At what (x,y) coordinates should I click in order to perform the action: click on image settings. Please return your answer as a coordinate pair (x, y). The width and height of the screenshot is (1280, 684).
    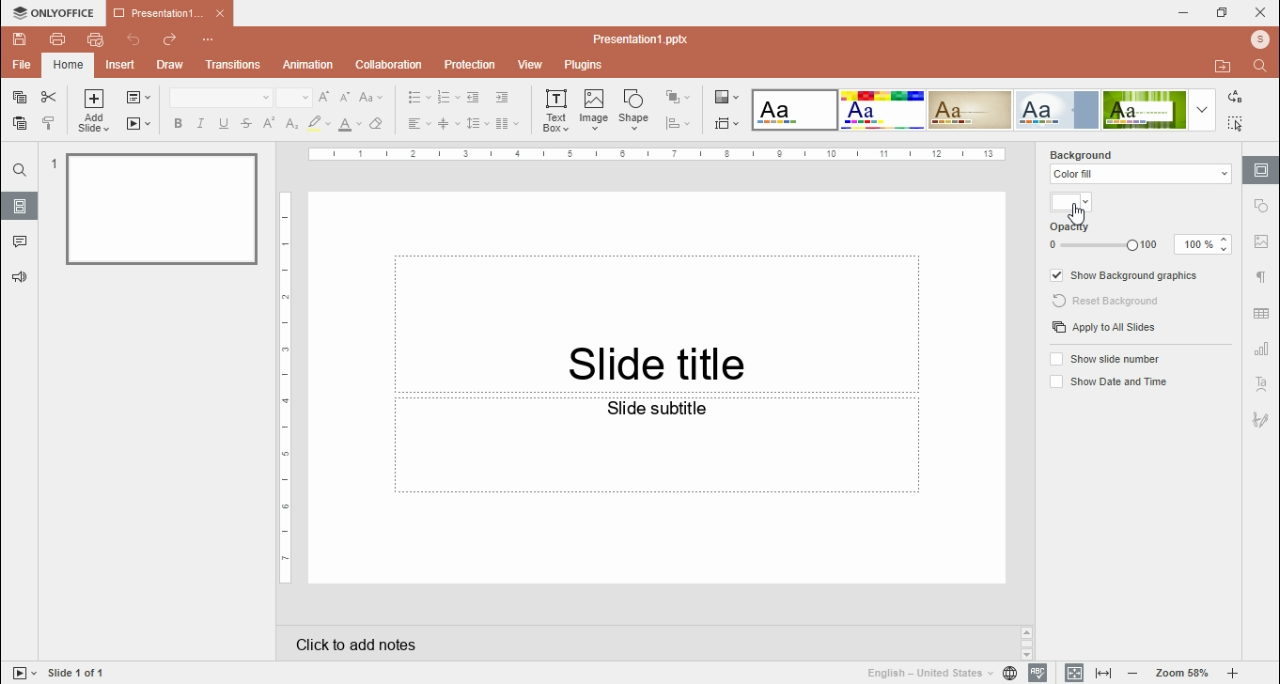
    Looking at the image, I should click on (1265, 240).